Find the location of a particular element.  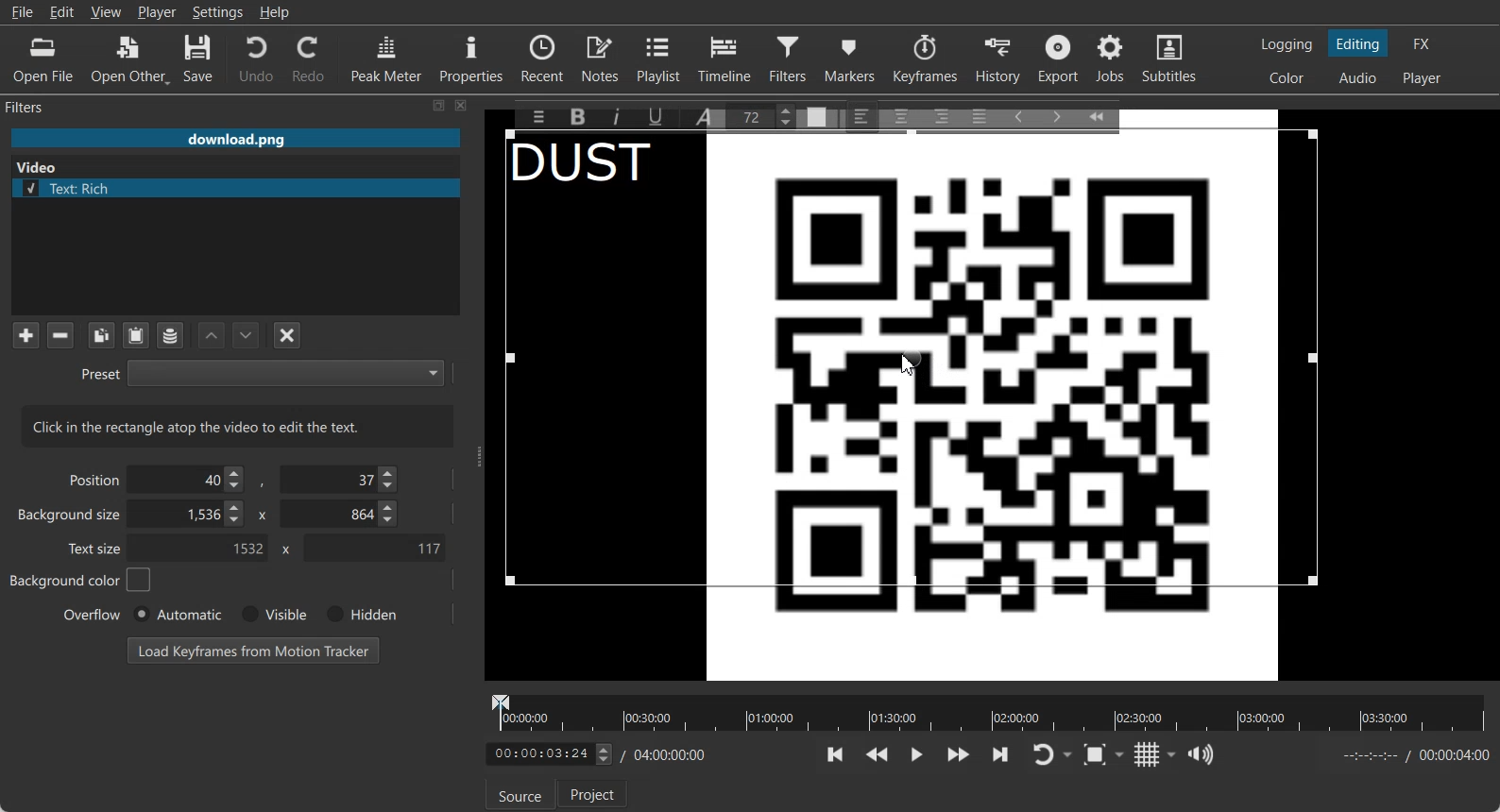

Text size is located at coordinates (96, 548).